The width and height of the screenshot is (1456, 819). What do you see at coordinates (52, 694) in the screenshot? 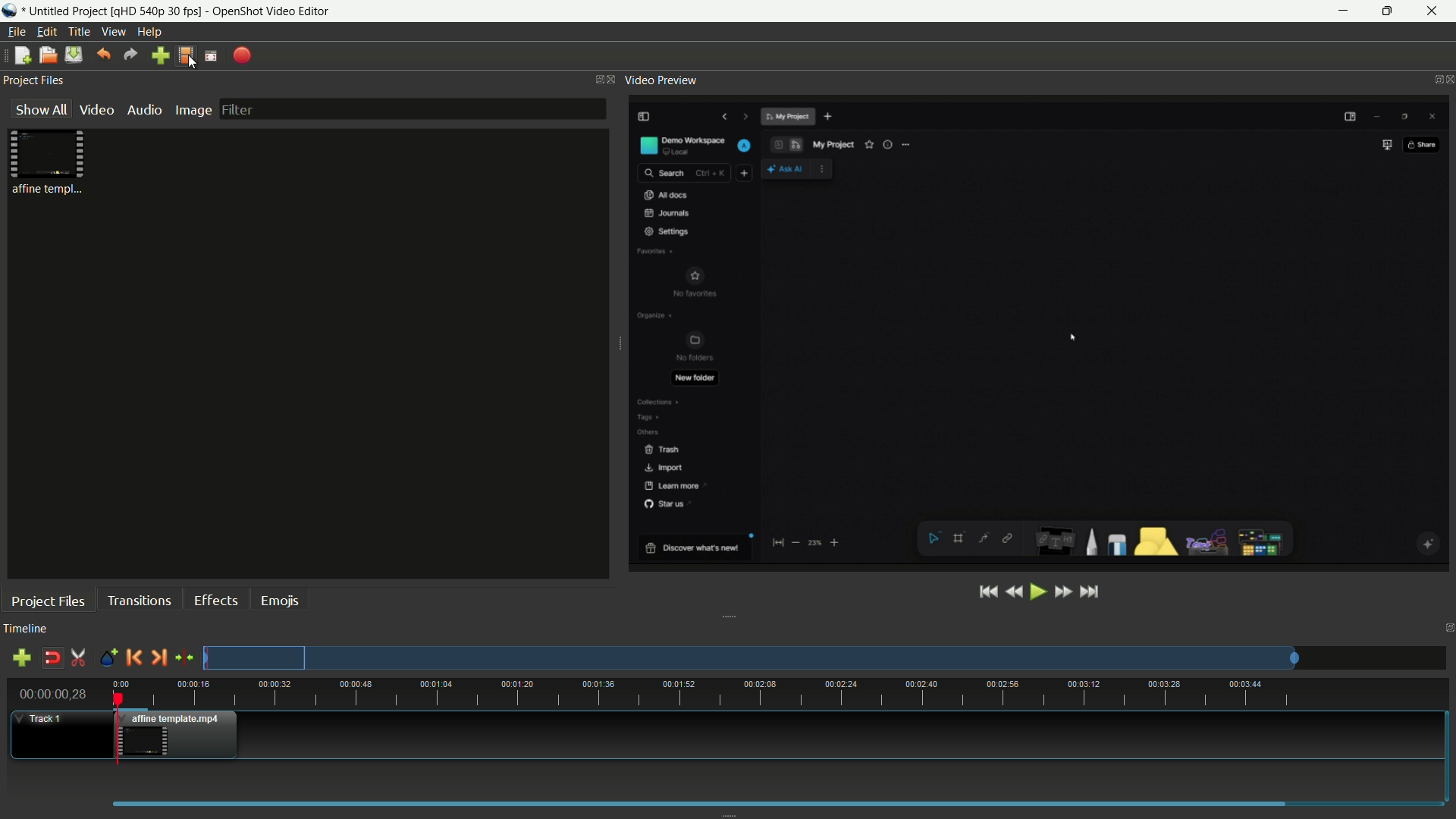
I see `current time` at bounding box center [52, 694].